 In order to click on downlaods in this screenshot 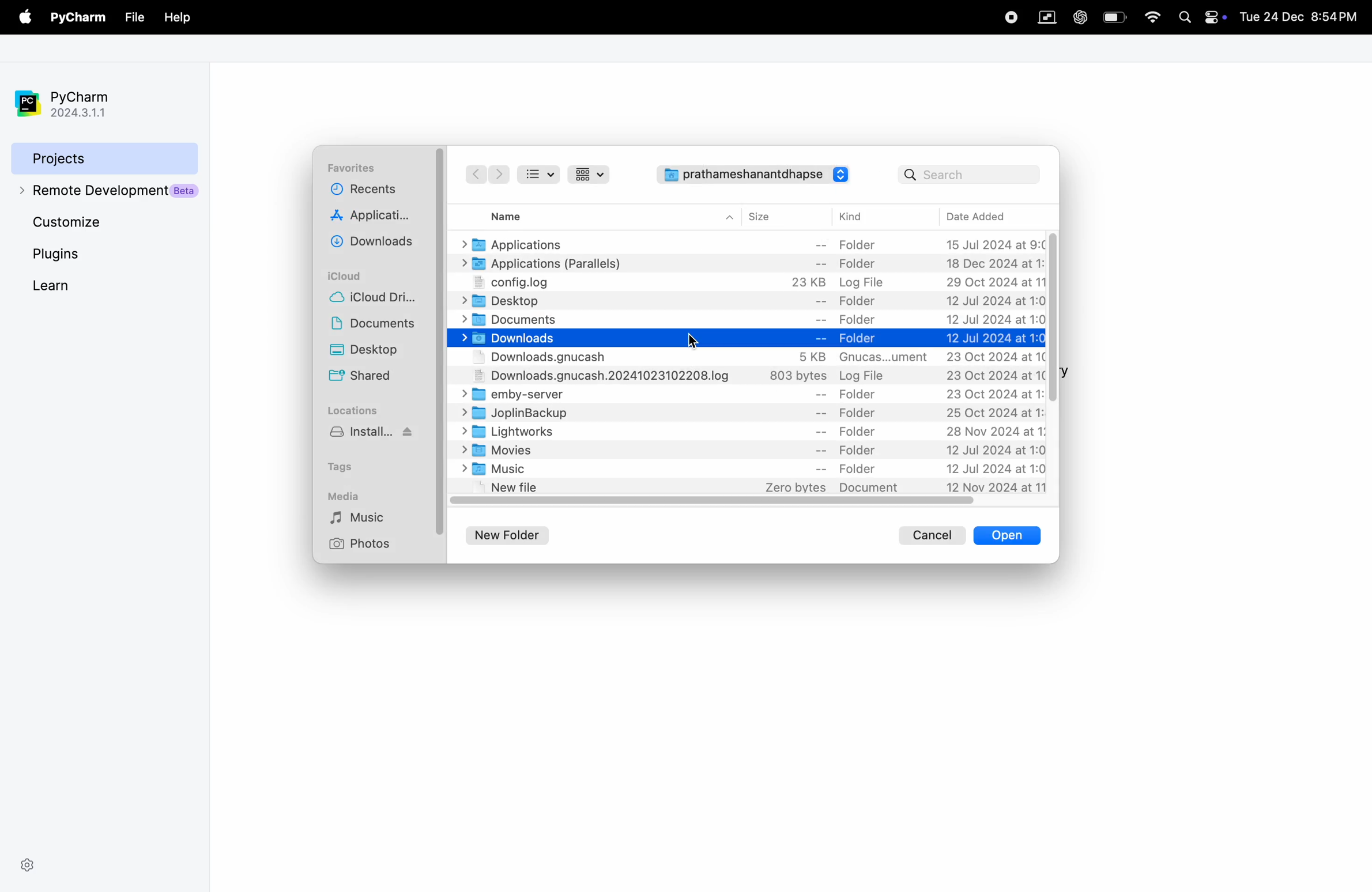, I will do `click(376, 241)`.